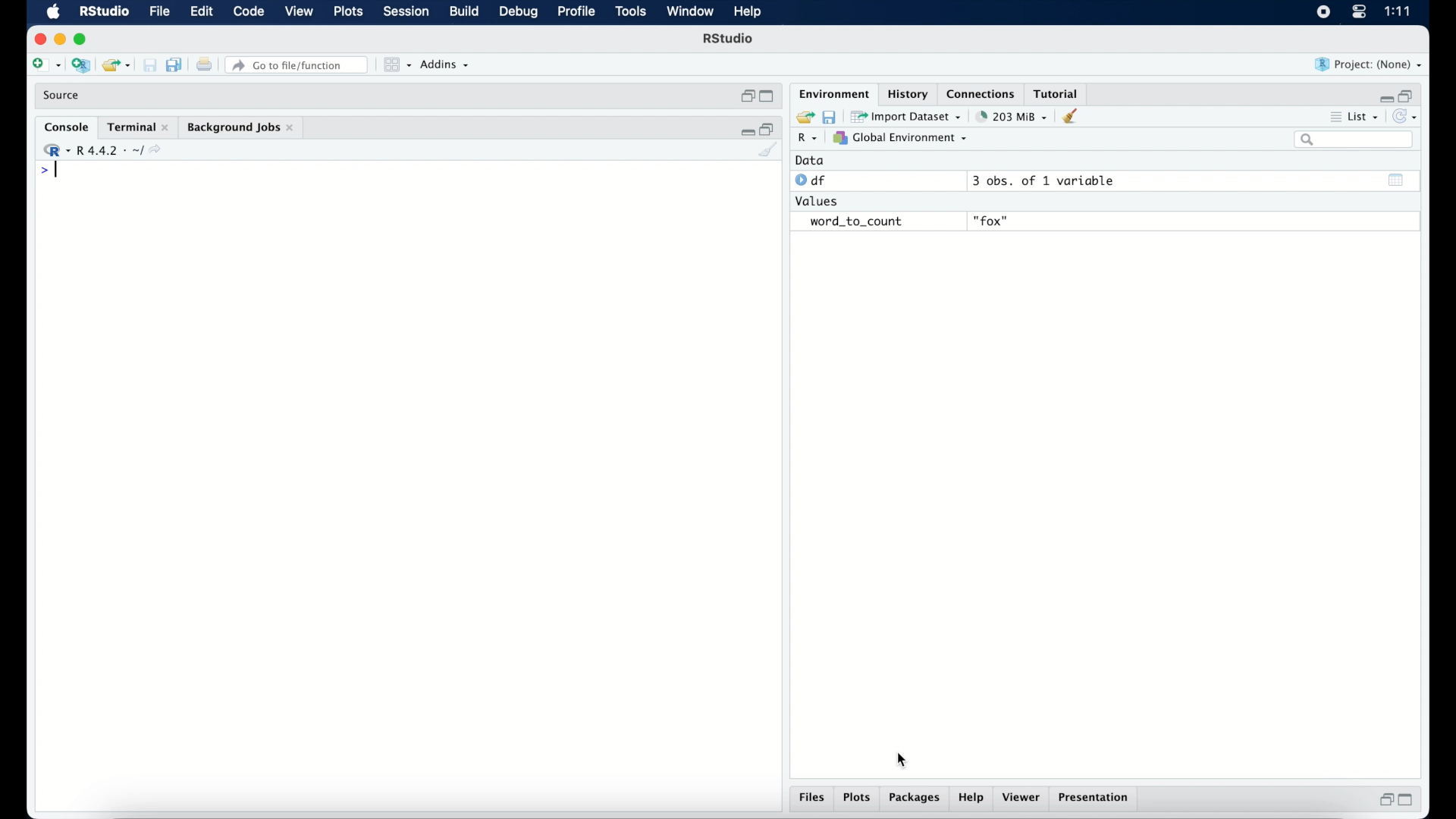  I want to click on restore down, so click(746, 96).